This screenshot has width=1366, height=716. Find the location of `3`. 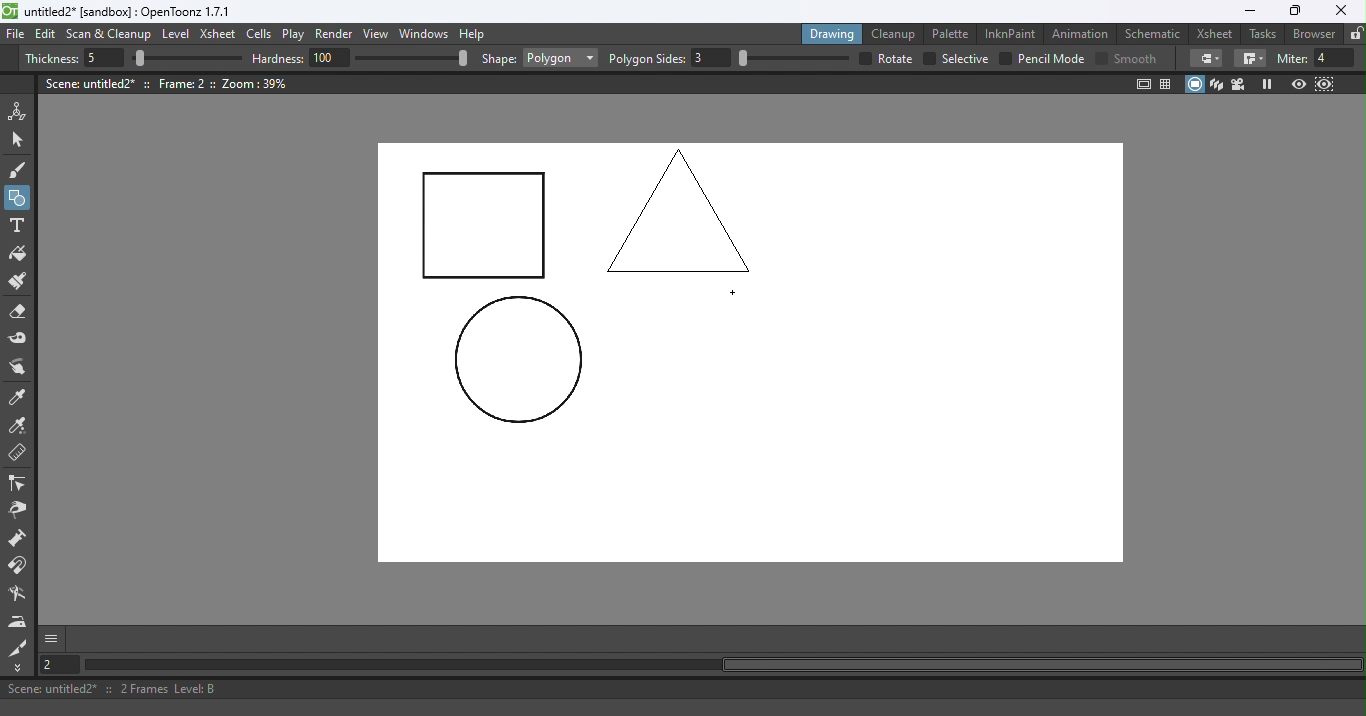

3 is located at coordinates (712, 58).